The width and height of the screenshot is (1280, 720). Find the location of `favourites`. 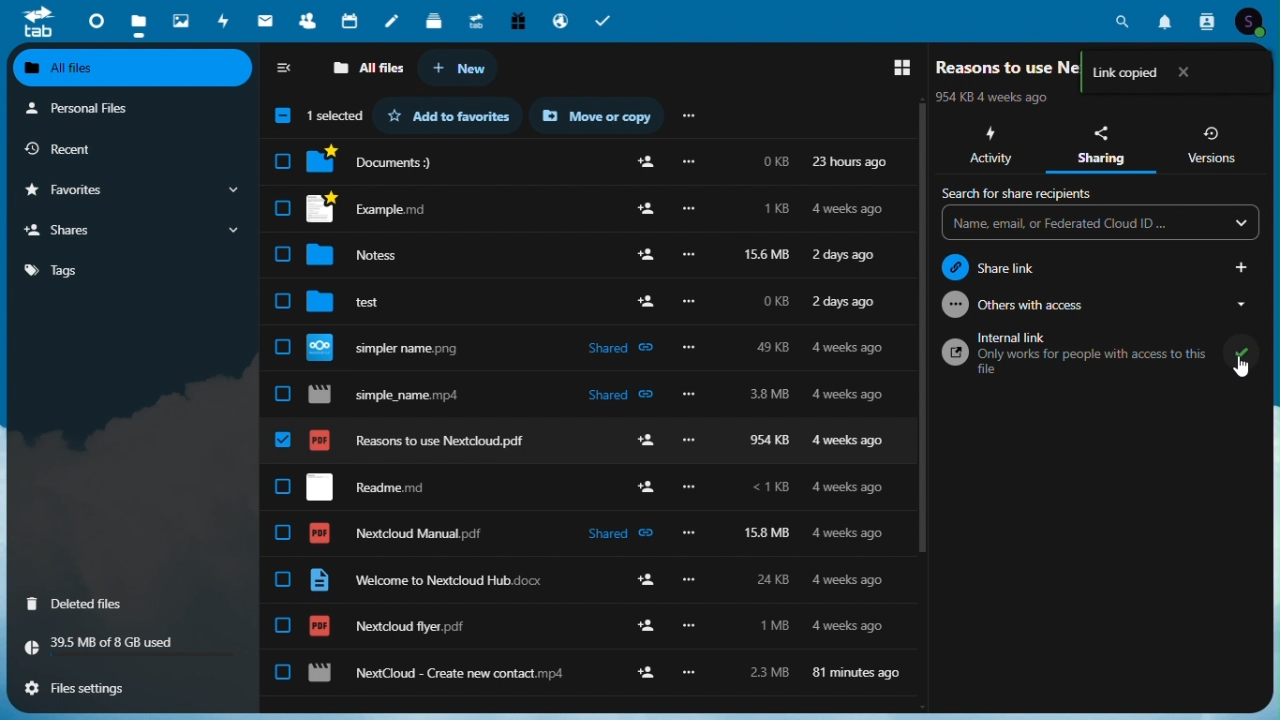

favourites is located at coordinates (131, 191).